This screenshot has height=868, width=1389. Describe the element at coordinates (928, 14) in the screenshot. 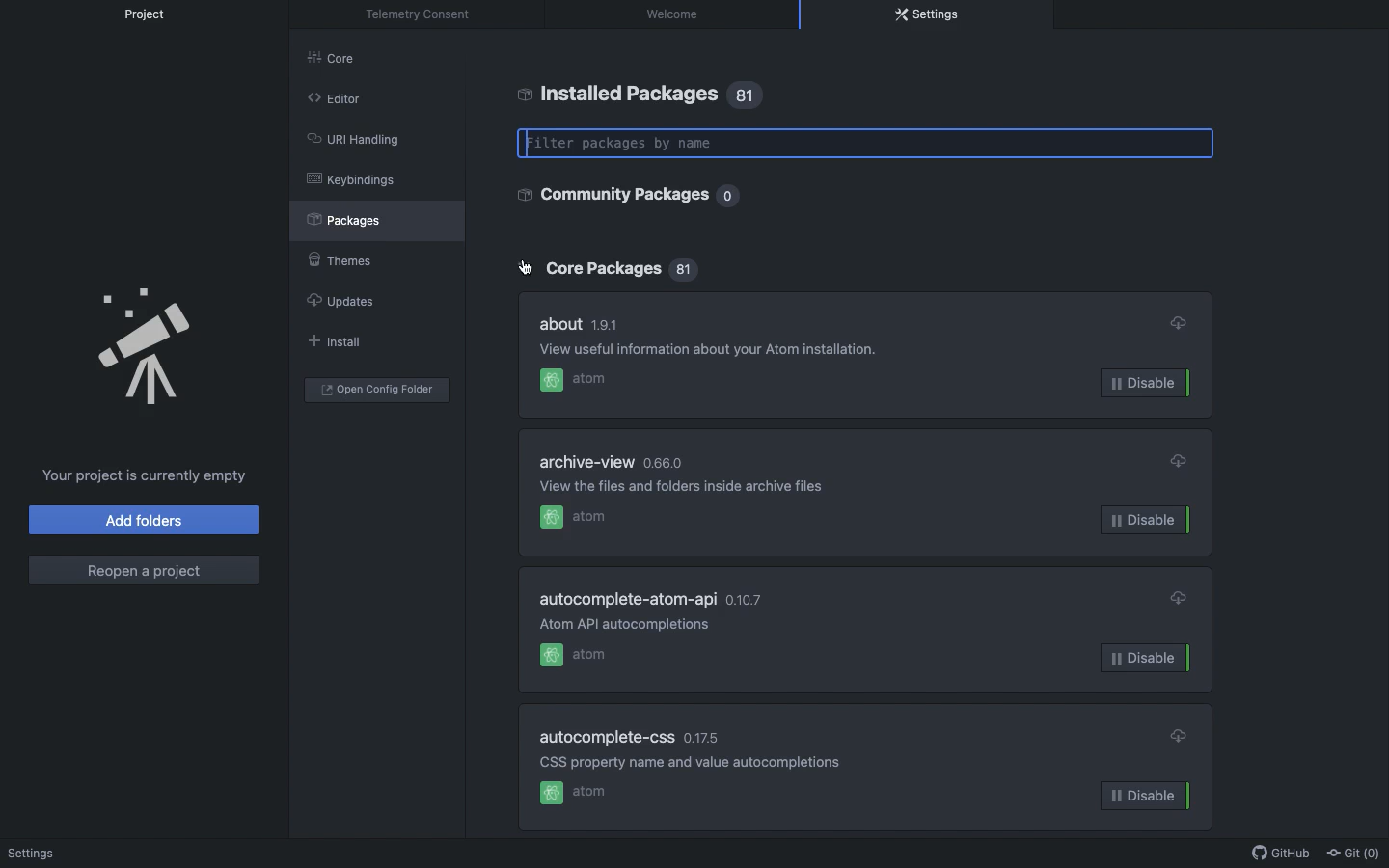

I see `Settings` at that location.